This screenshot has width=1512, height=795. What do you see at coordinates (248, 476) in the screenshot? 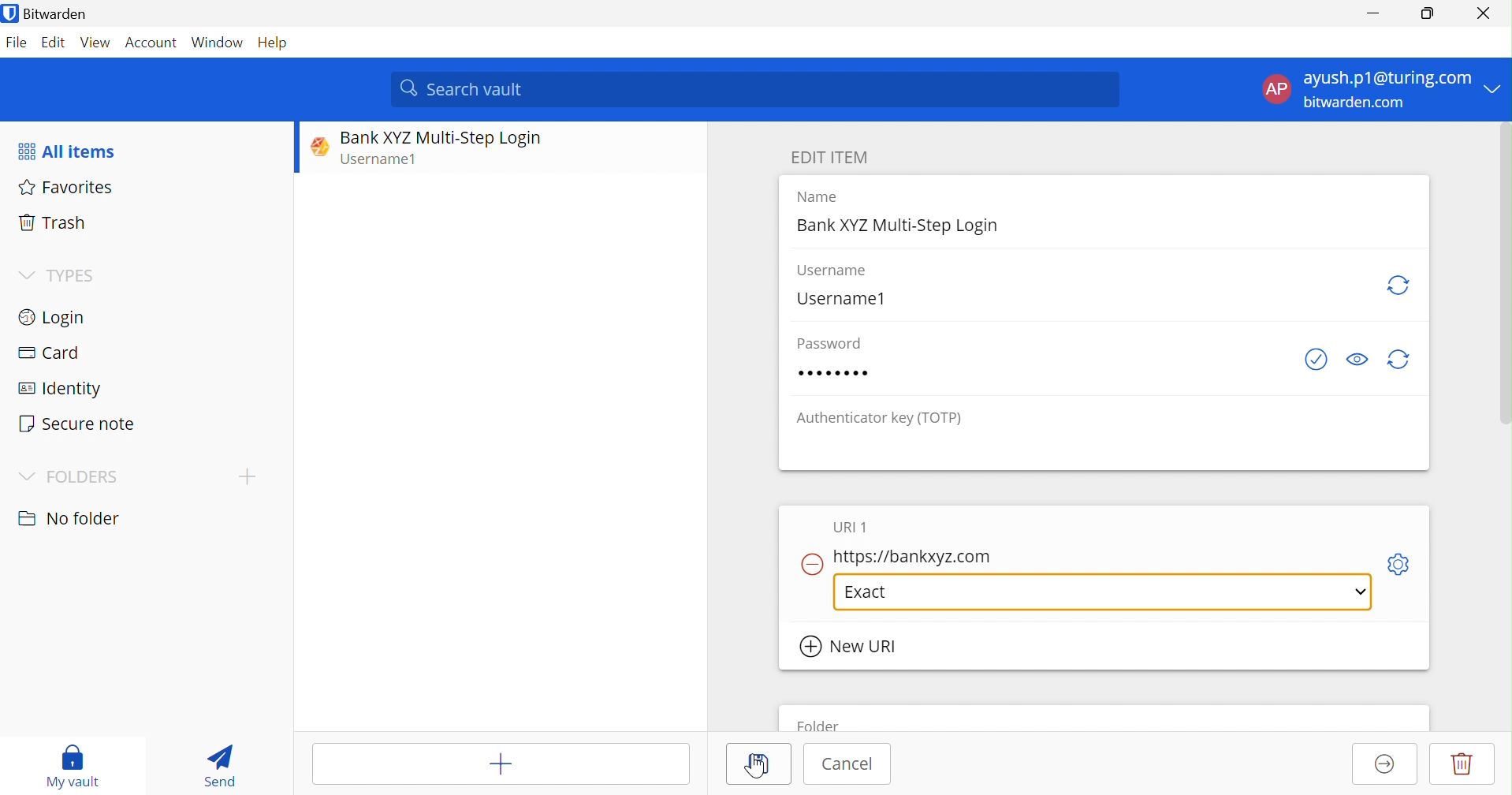
I see `Add folder` at bounding box center [248, 476].